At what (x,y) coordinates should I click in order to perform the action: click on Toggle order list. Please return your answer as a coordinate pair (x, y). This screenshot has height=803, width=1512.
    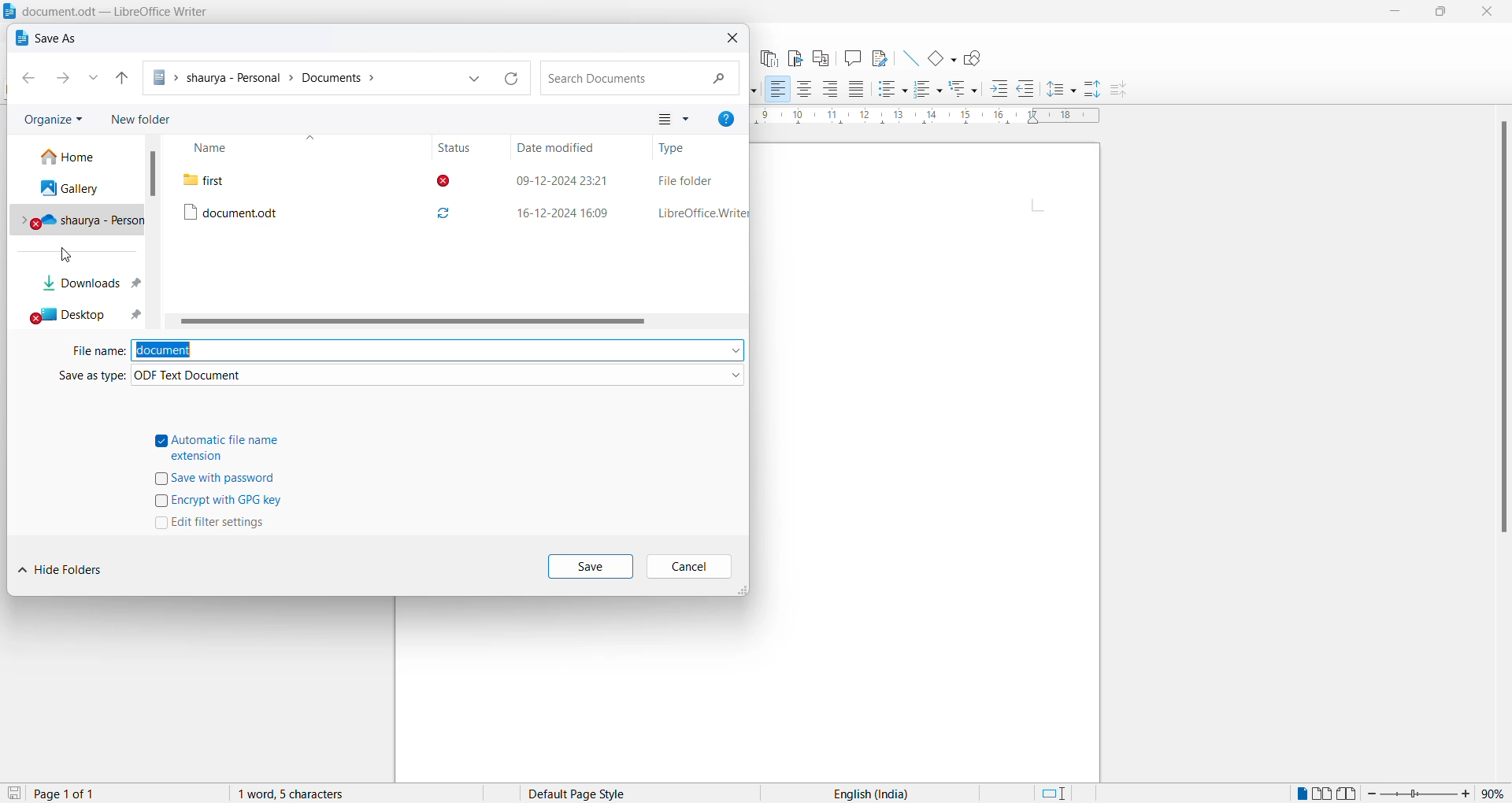
    Looking at the image, I should click on (927, 91).